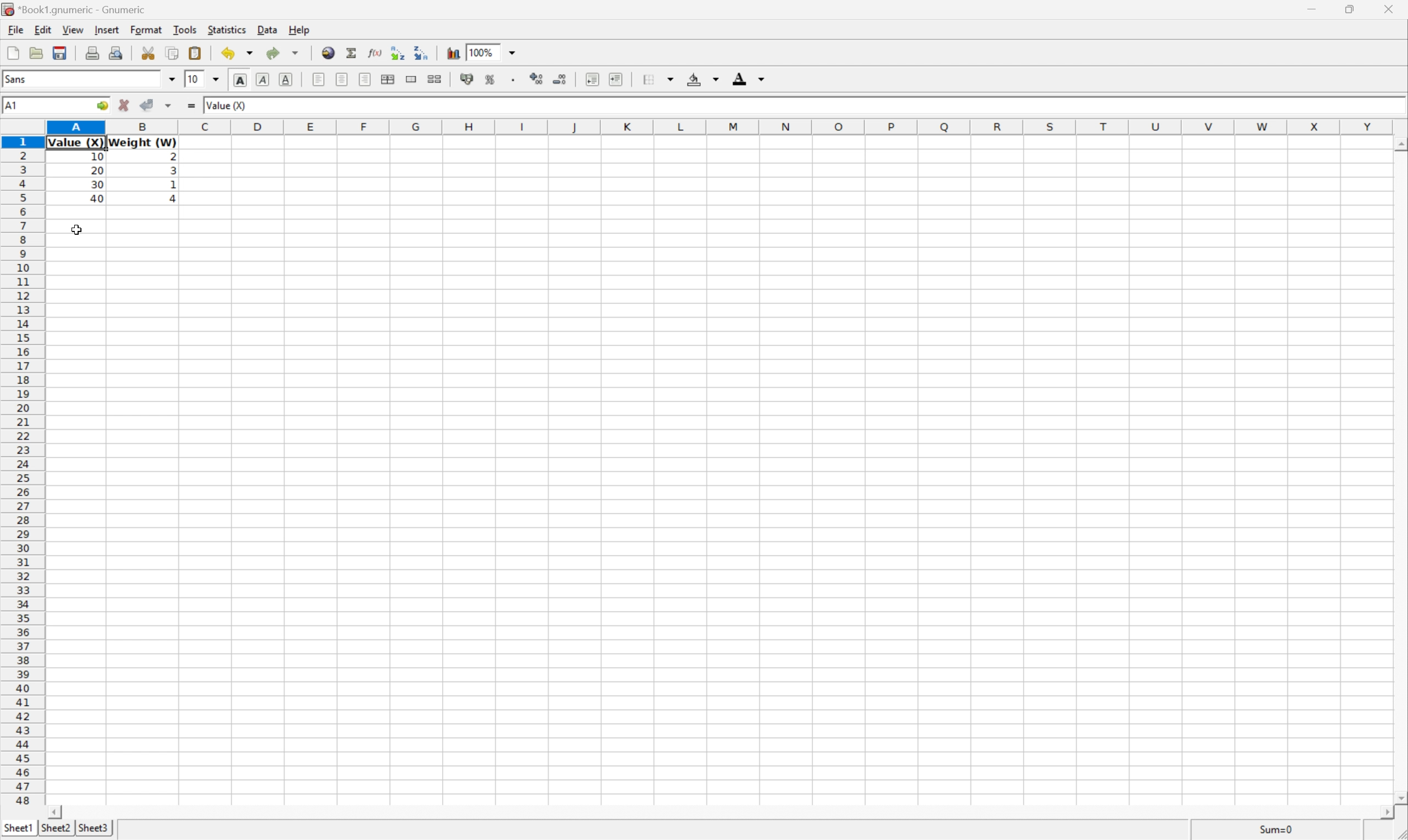 The height and width of the screenshot is (840, 1408). What do you see at coordinates (217, 77) in the screenshot?
I see `Drop Down` at bounding box center [217, 77].